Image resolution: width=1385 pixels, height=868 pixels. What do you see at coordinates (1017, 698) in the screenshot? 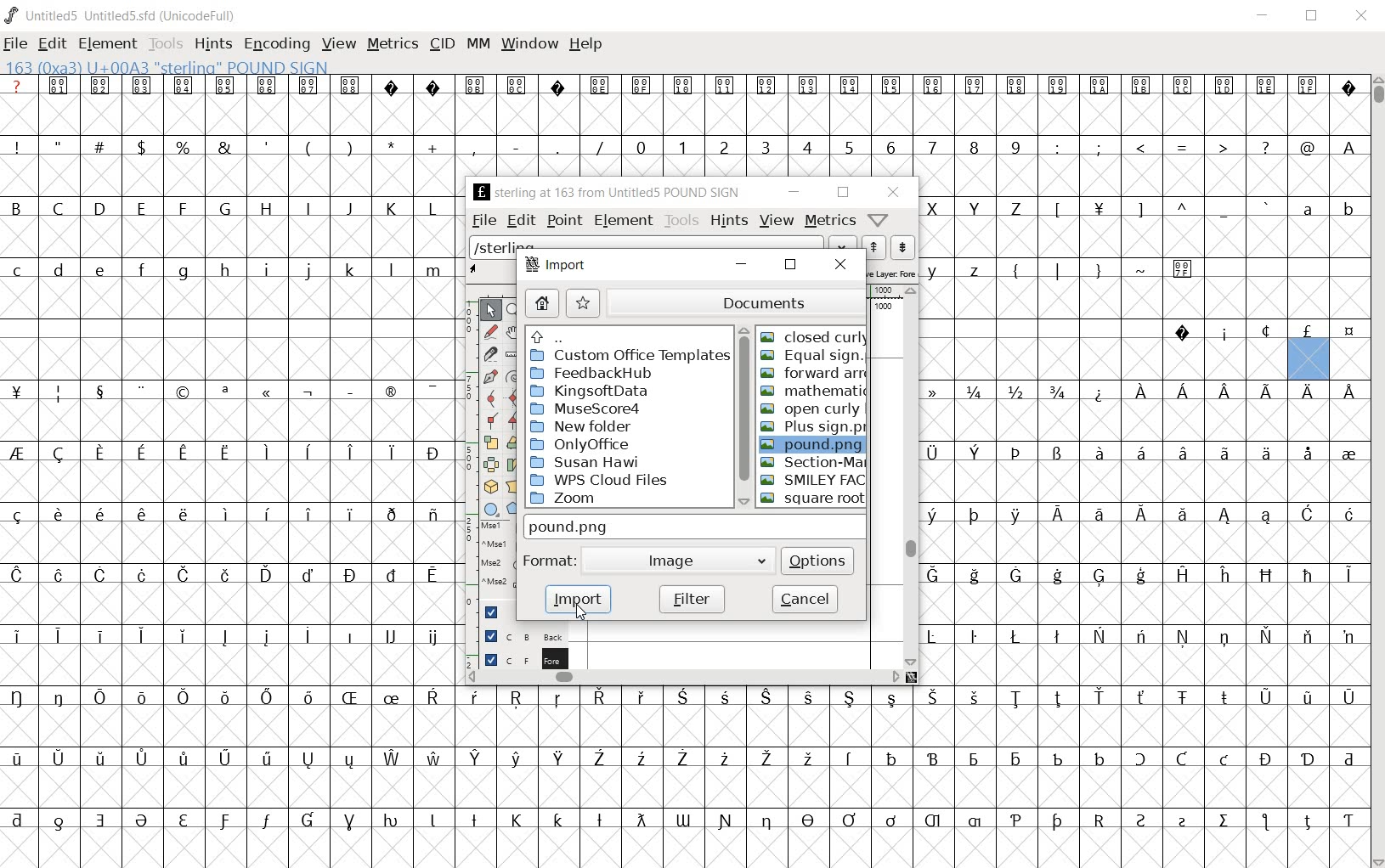
I see `Symbol` at bounding box center [1017, 698].